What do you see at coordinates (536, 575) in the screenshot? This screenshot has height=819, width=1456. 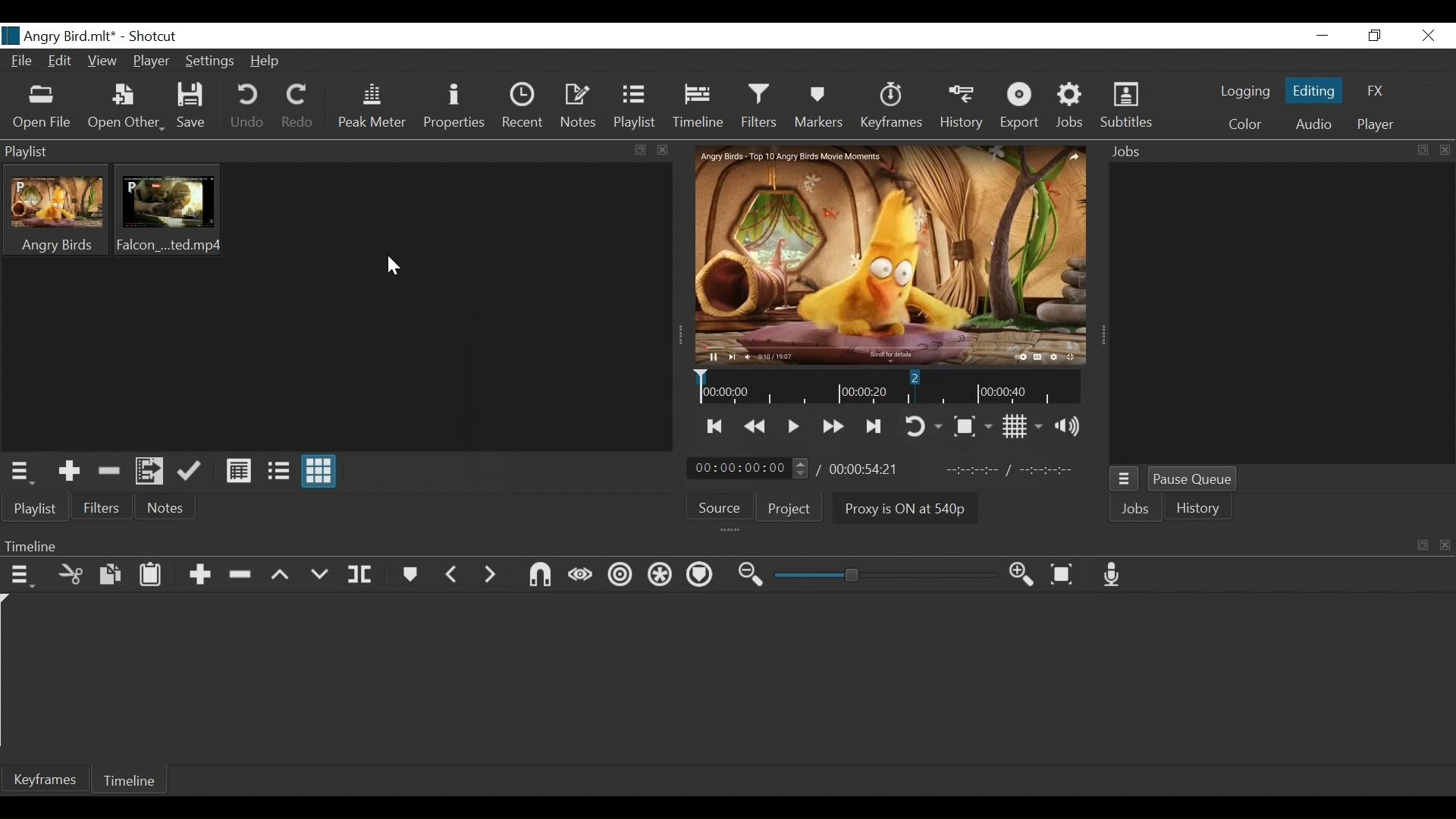 I see `Snap` at bounding box center [536, 575].